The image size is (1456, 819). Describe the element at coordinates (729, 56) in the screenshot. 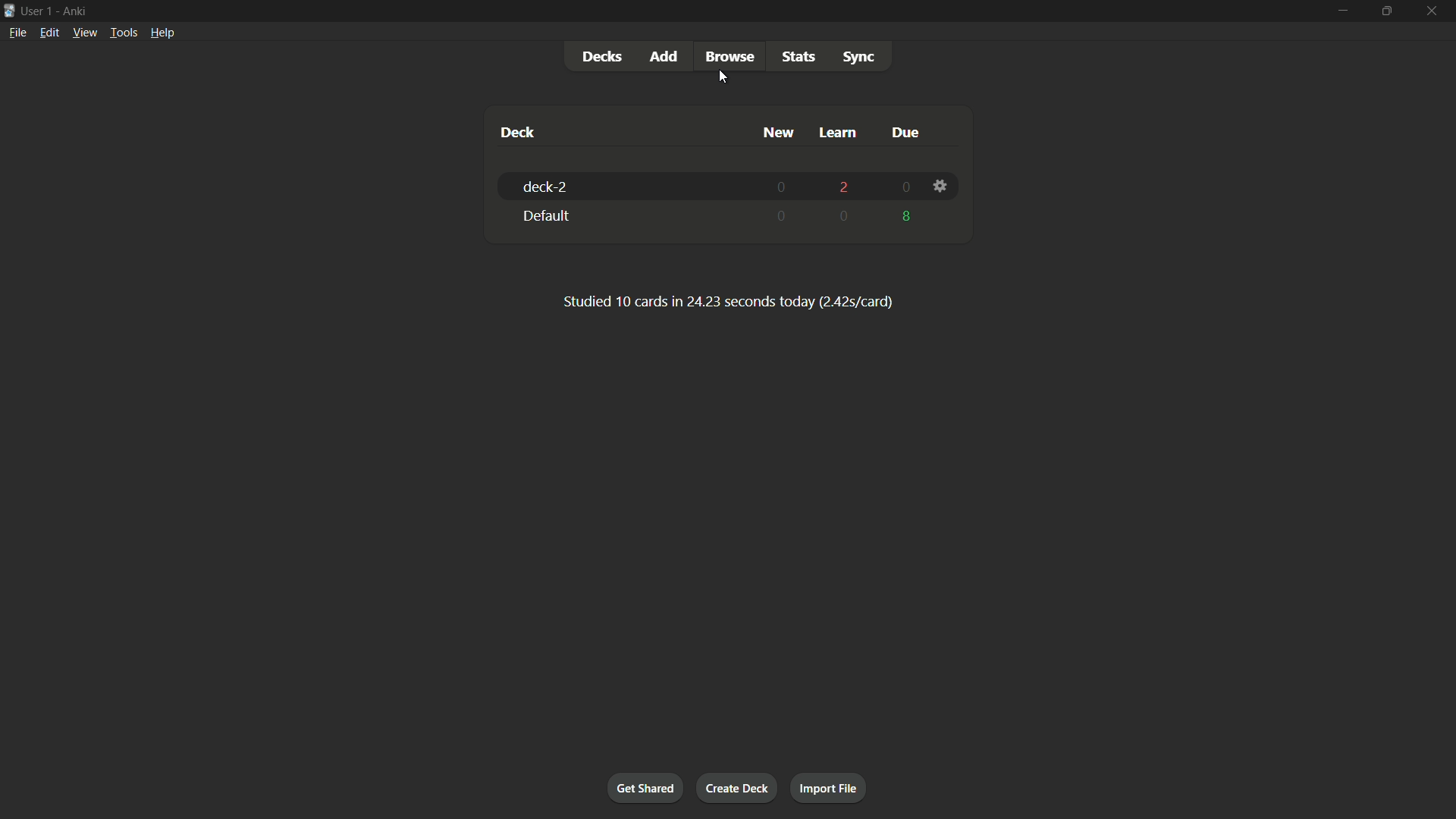

I see `Browse` at that location.